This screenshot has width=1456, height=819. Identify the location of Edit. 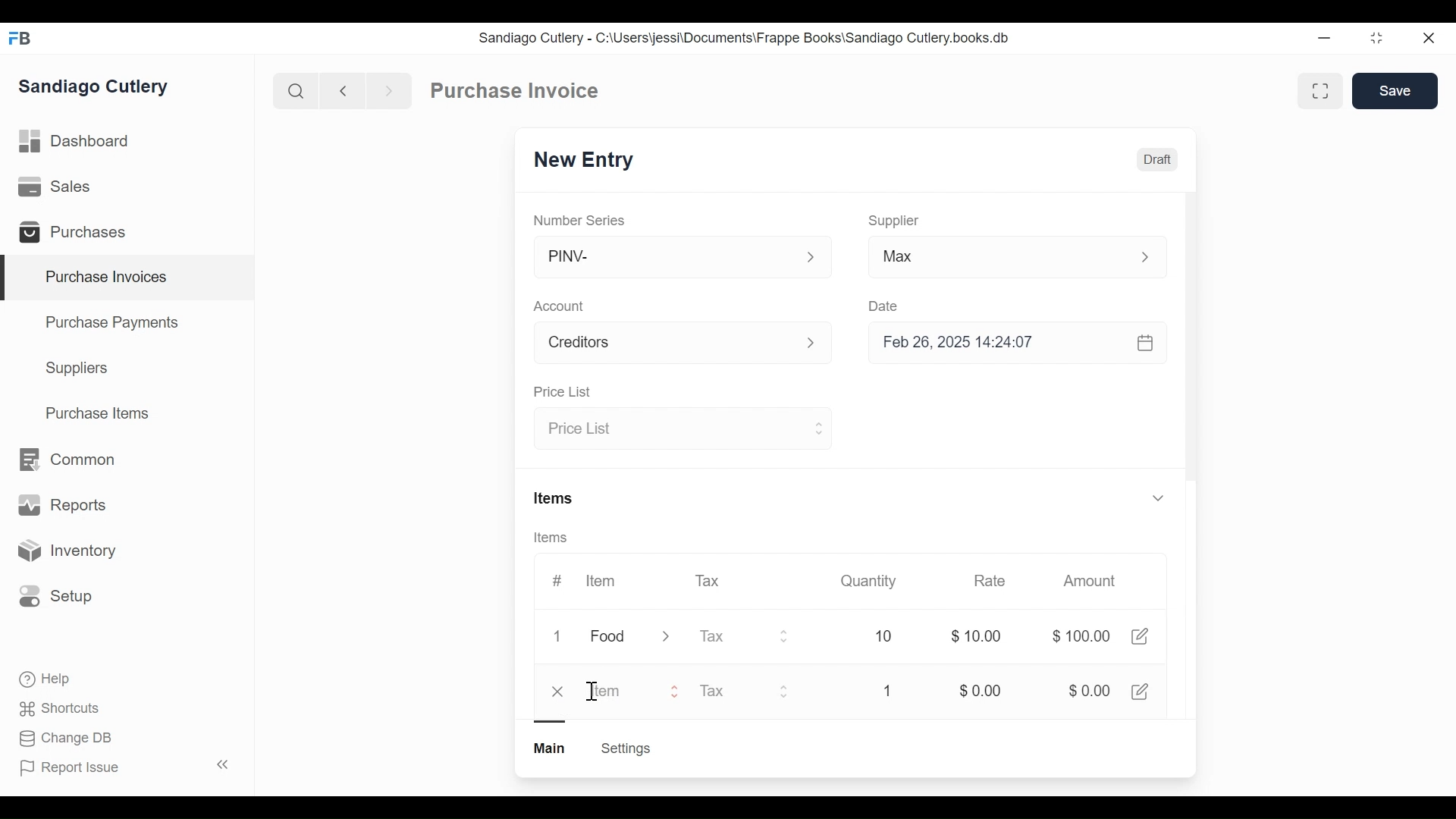
(1139, 636).